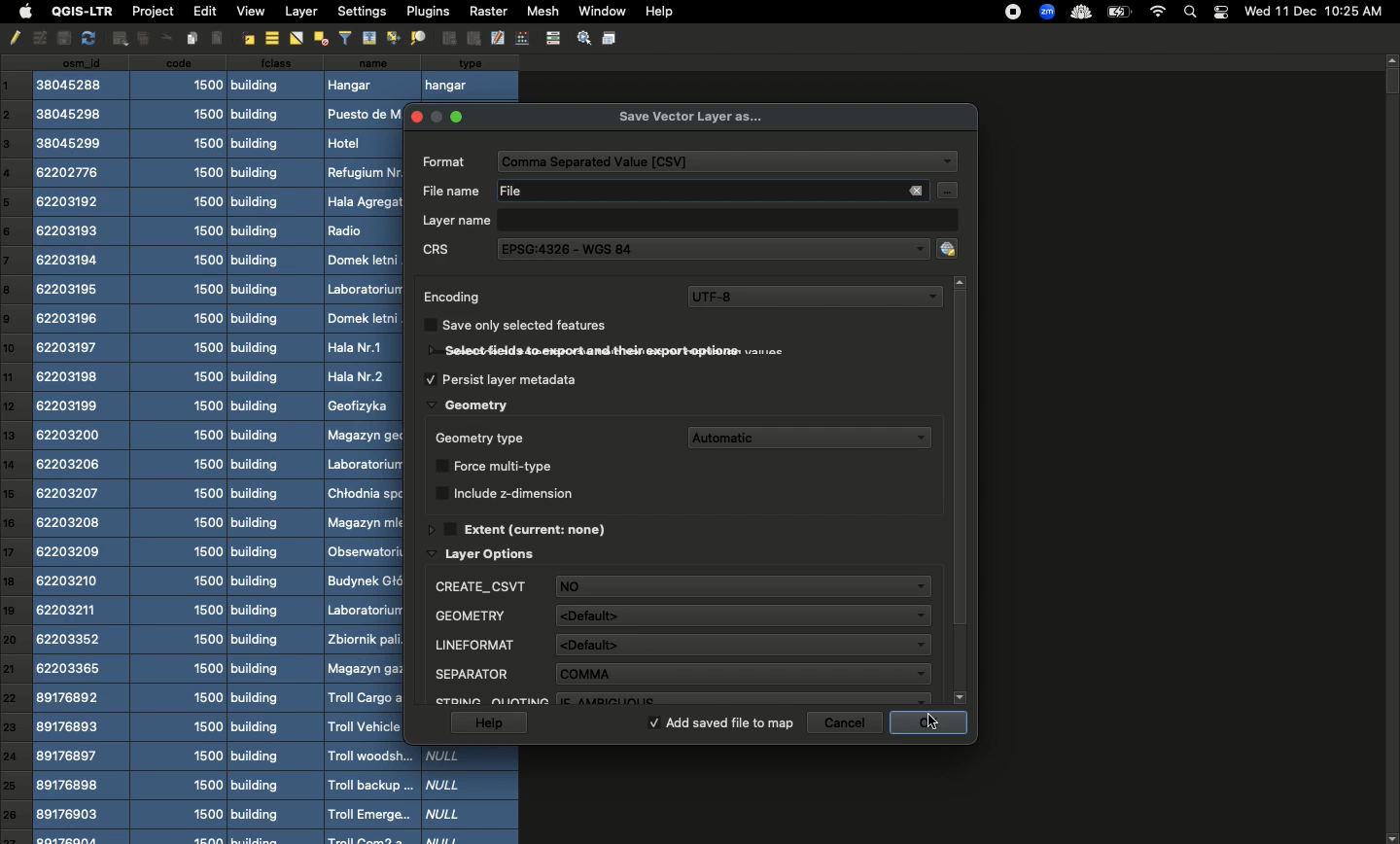 Image resolution: width=1400 pixels, height=844 pixels. I want to click on Distribute Objects Evenly, so click(416, 38).